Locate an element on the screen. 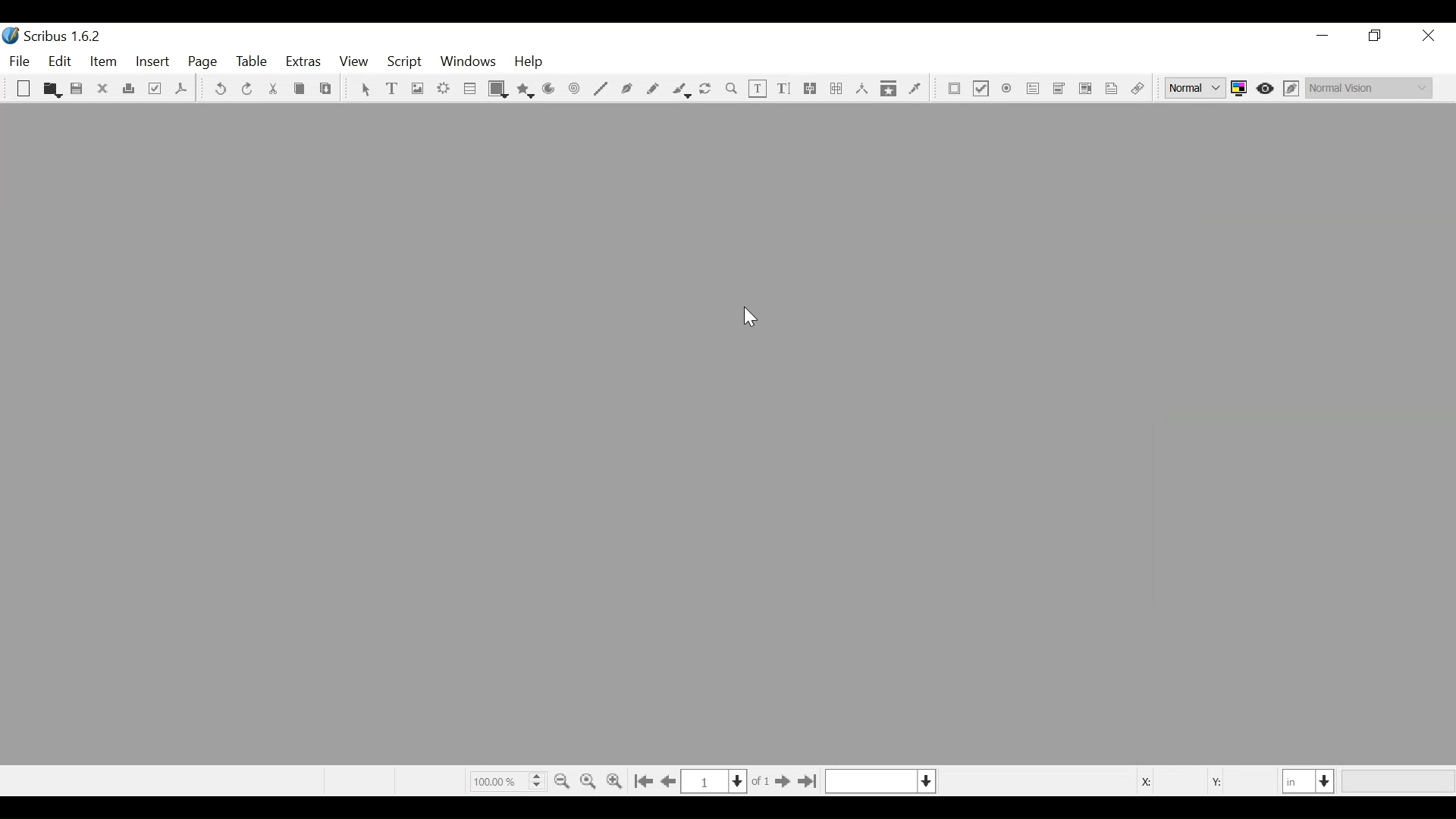 The width and height of the screenshot is (1456, 819). Select the current layer is located at coordinates (880, 781).